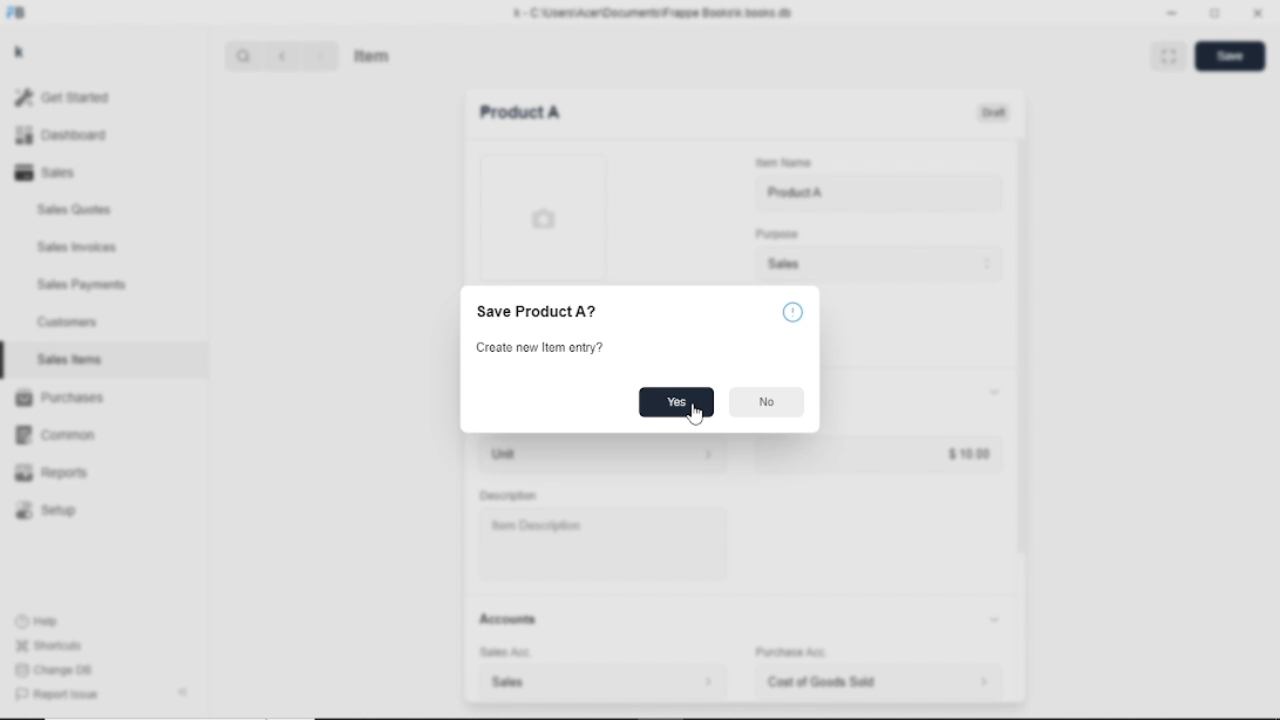 The width and height of the screenshot is (1280, 720). I want to click on Minimize, so click(1173, 14).